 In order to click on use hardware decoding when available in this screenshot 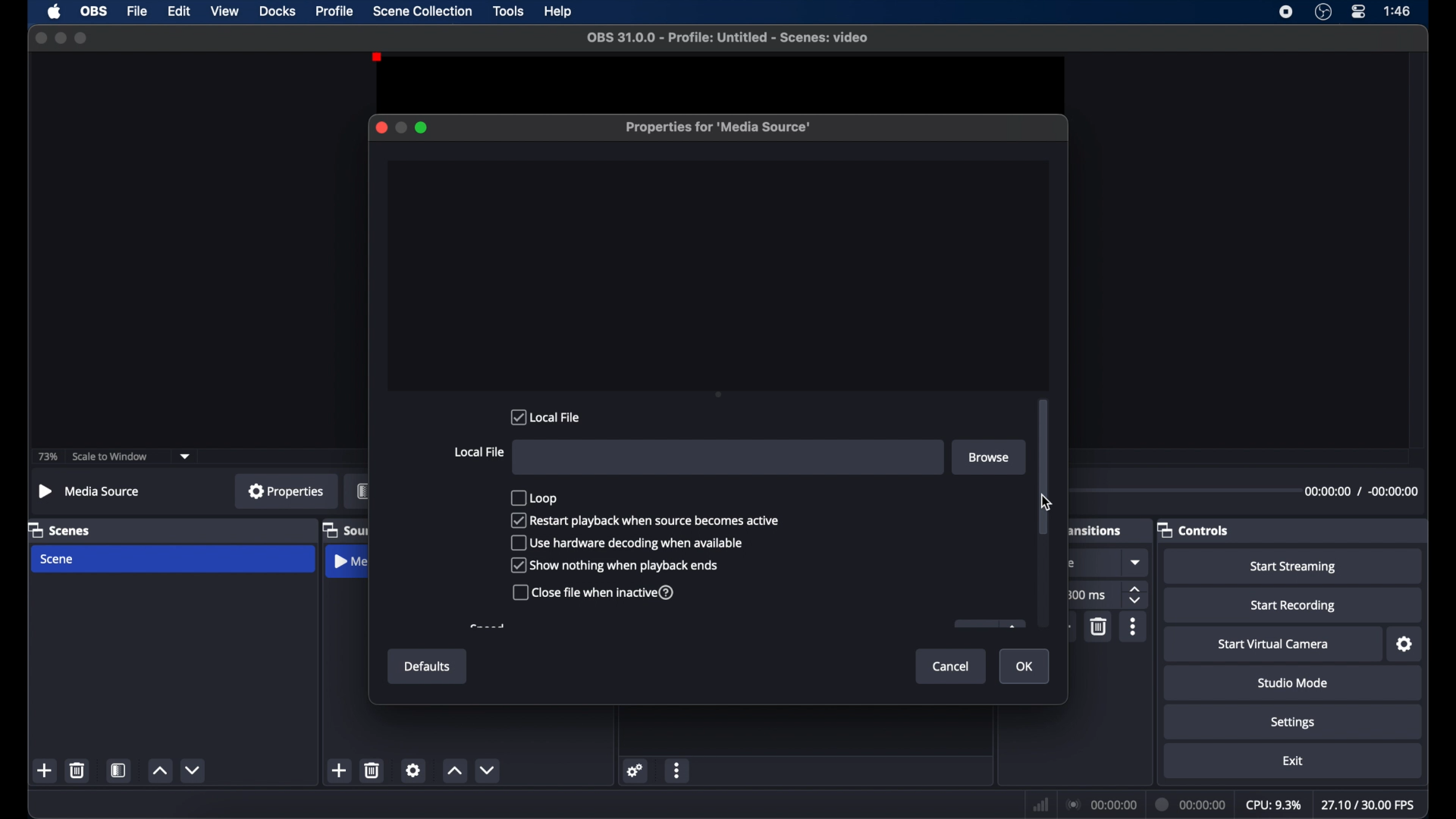, I will do `click(627, 542)`.